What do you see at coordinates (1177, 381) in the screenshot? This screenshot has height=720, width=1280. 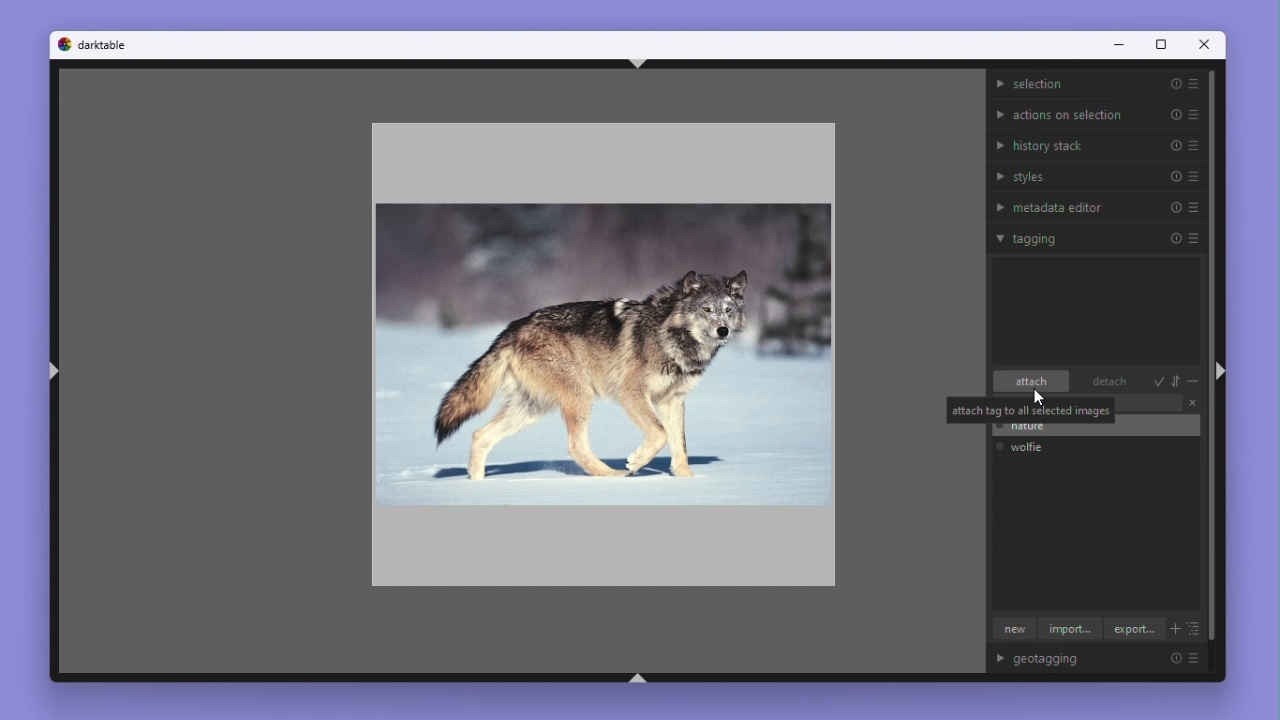 I see `sorting` at bounding box center [1177, 381].